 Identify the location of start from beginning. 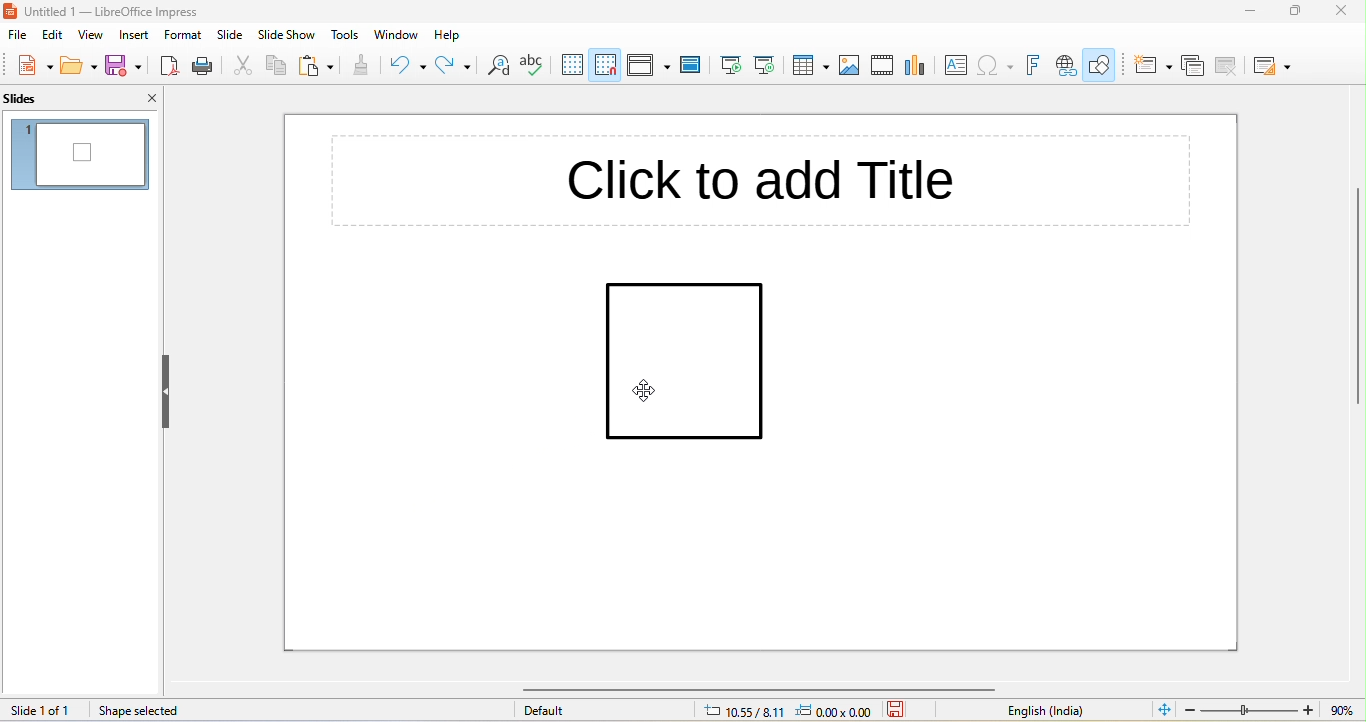
(732, 65).